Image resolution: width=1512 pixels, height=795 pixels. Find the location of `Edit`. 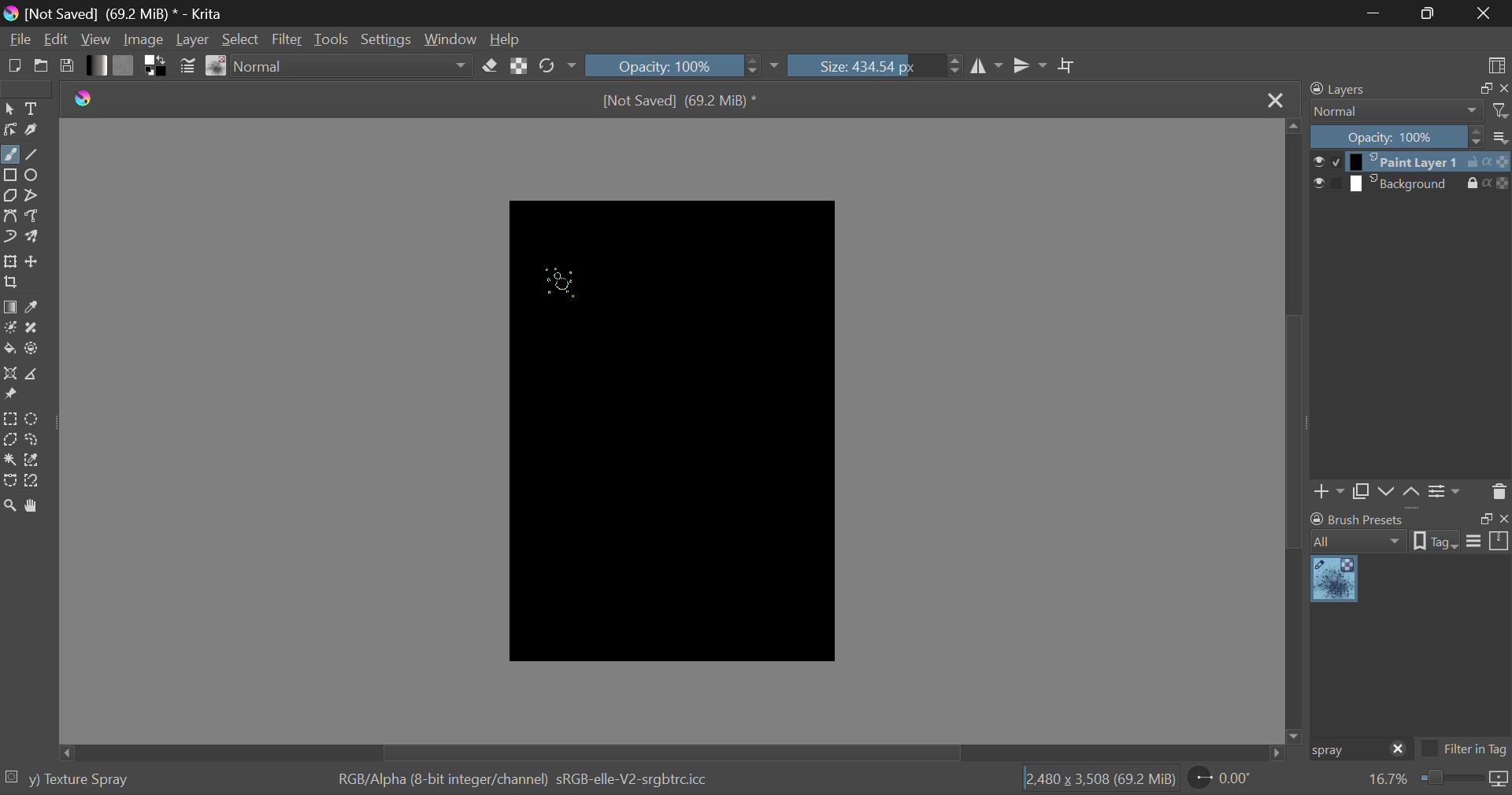

Edit is located at coordinates (57, 39).